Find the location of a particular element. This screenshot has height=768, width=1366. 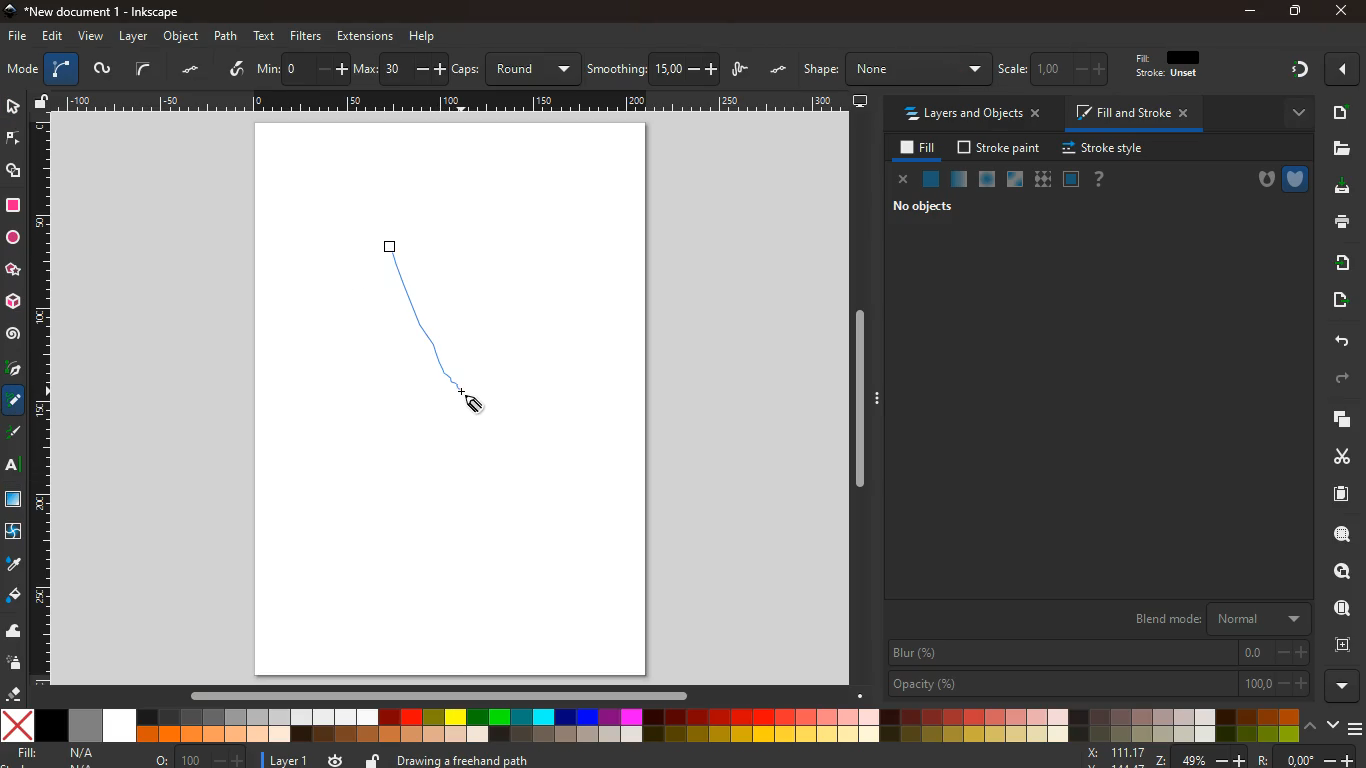

help is located at coordinates (1100, 180).